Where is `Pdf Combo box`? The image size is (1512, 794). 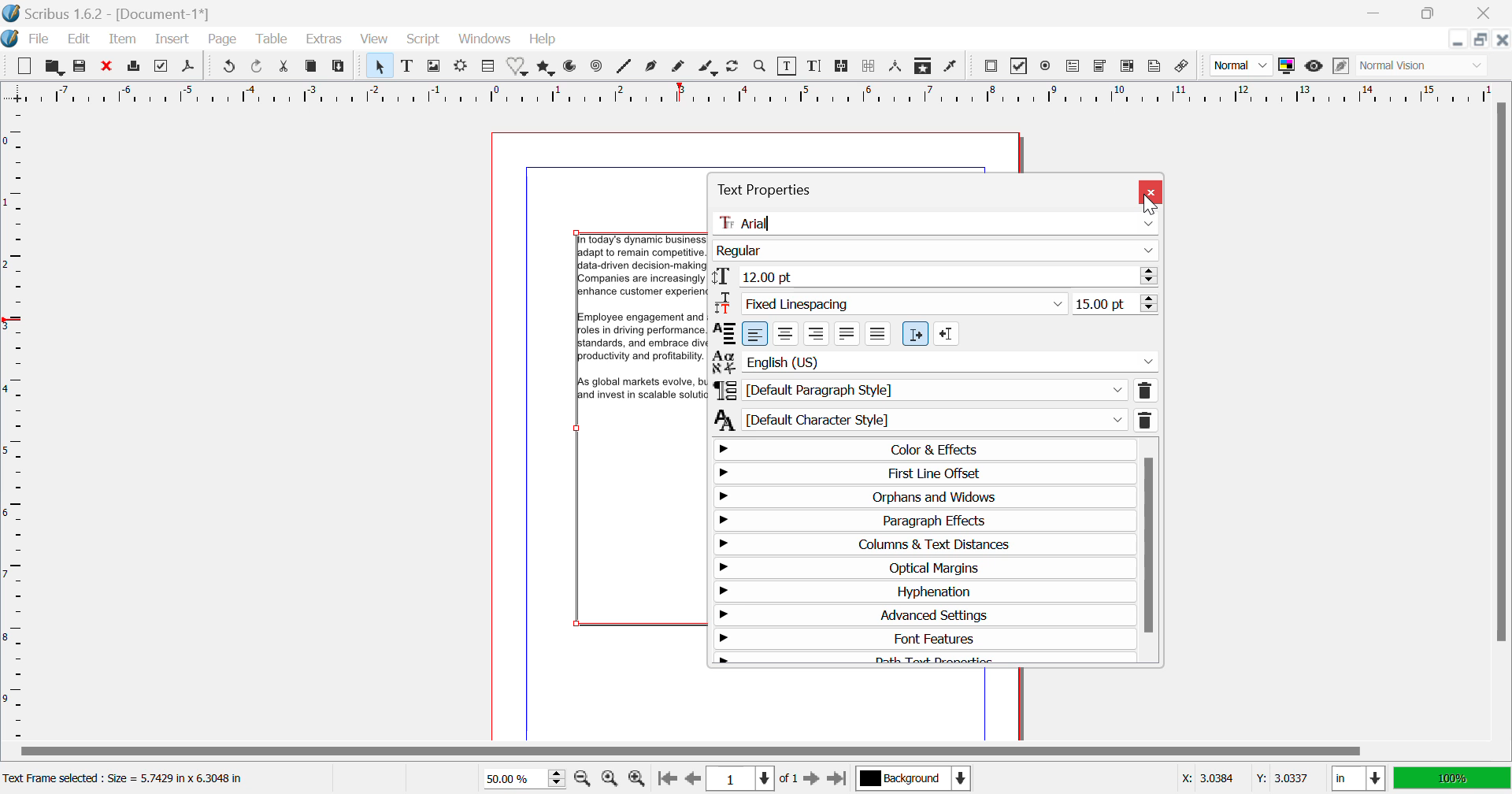 Pdf Combo box is located at coordinates (1101, 64).